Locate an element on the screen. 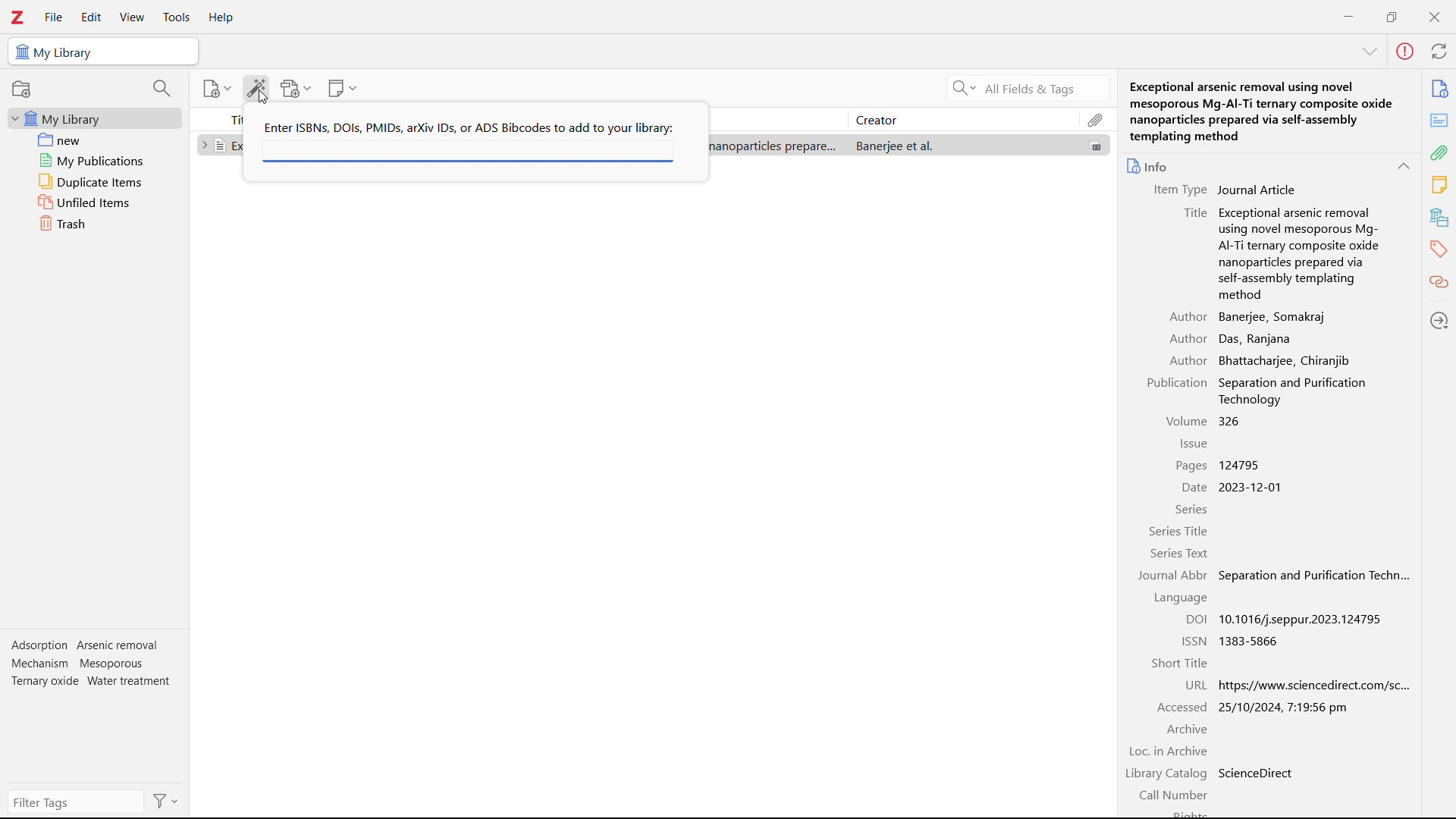 This screenshot has width=1456, height=819. actions is located at coordinates (166, 801).